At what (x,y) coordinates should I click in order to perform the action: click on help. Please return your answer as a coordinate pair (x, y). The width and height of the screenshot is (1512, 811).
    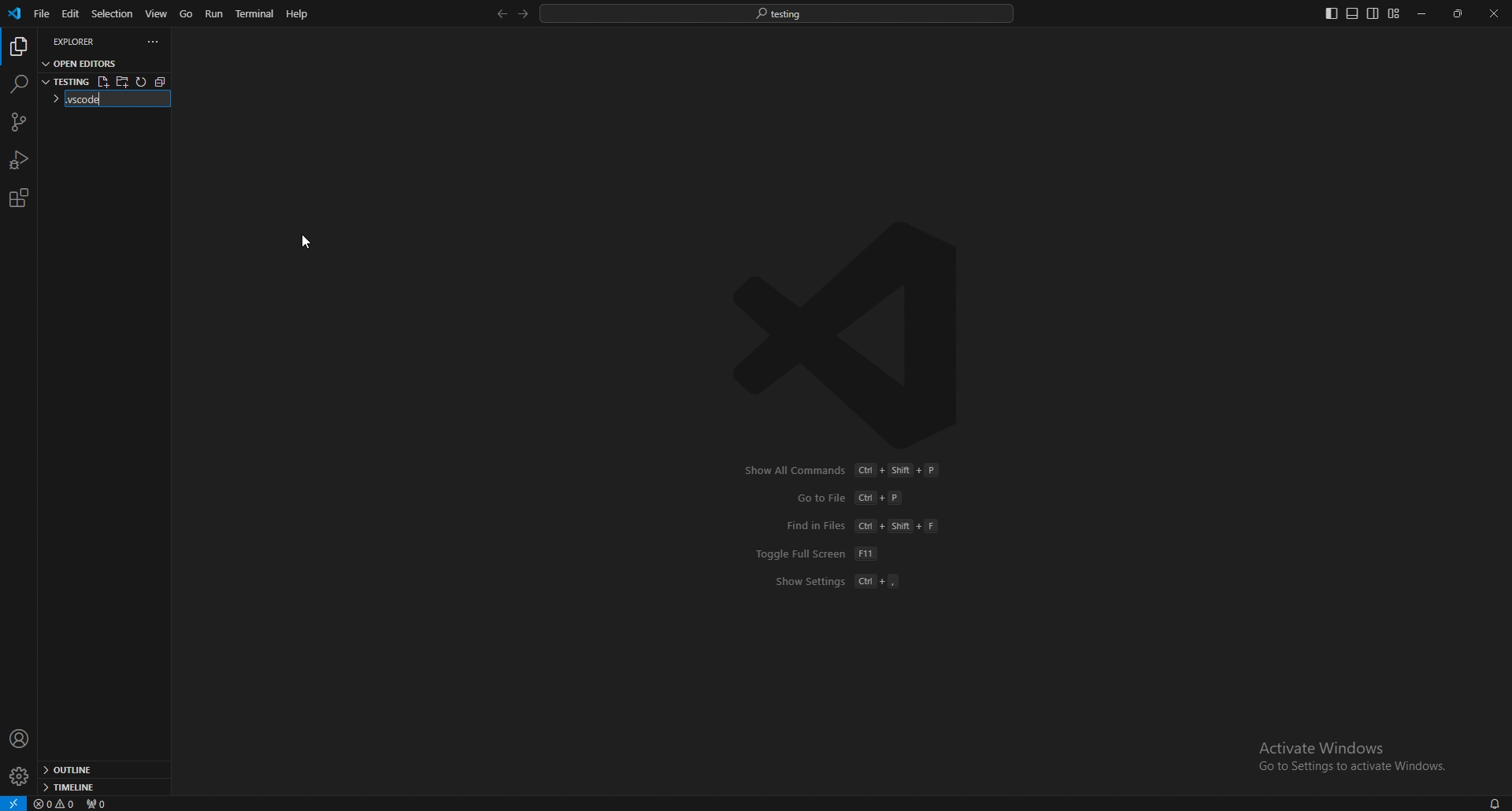
    Looking at the image, I should click on (298, 13).